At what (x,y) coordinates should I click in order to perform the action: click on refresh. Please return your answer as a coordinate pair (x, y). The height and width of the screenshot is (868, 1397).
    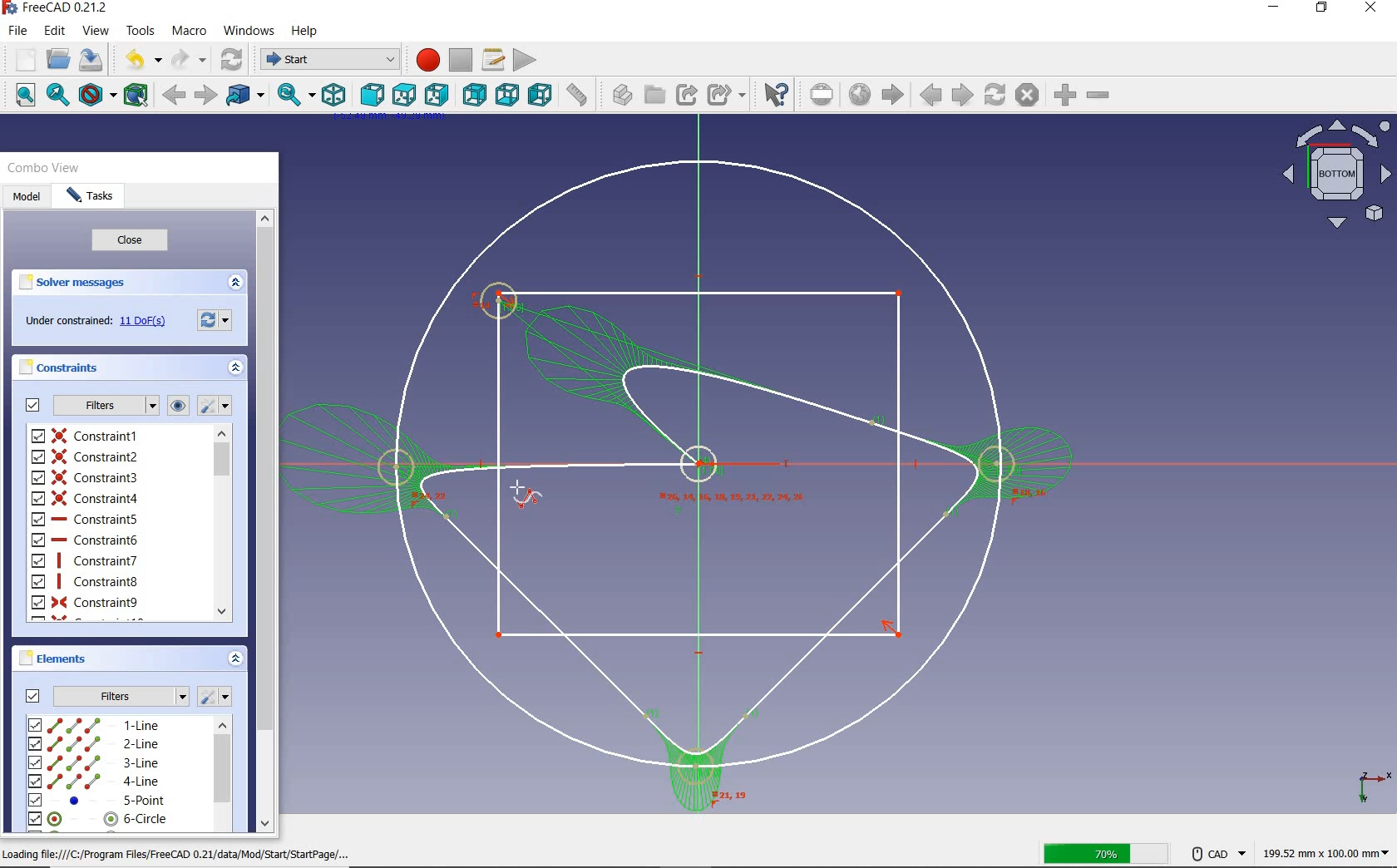
    Looking at the image, I should click on (227, 61).